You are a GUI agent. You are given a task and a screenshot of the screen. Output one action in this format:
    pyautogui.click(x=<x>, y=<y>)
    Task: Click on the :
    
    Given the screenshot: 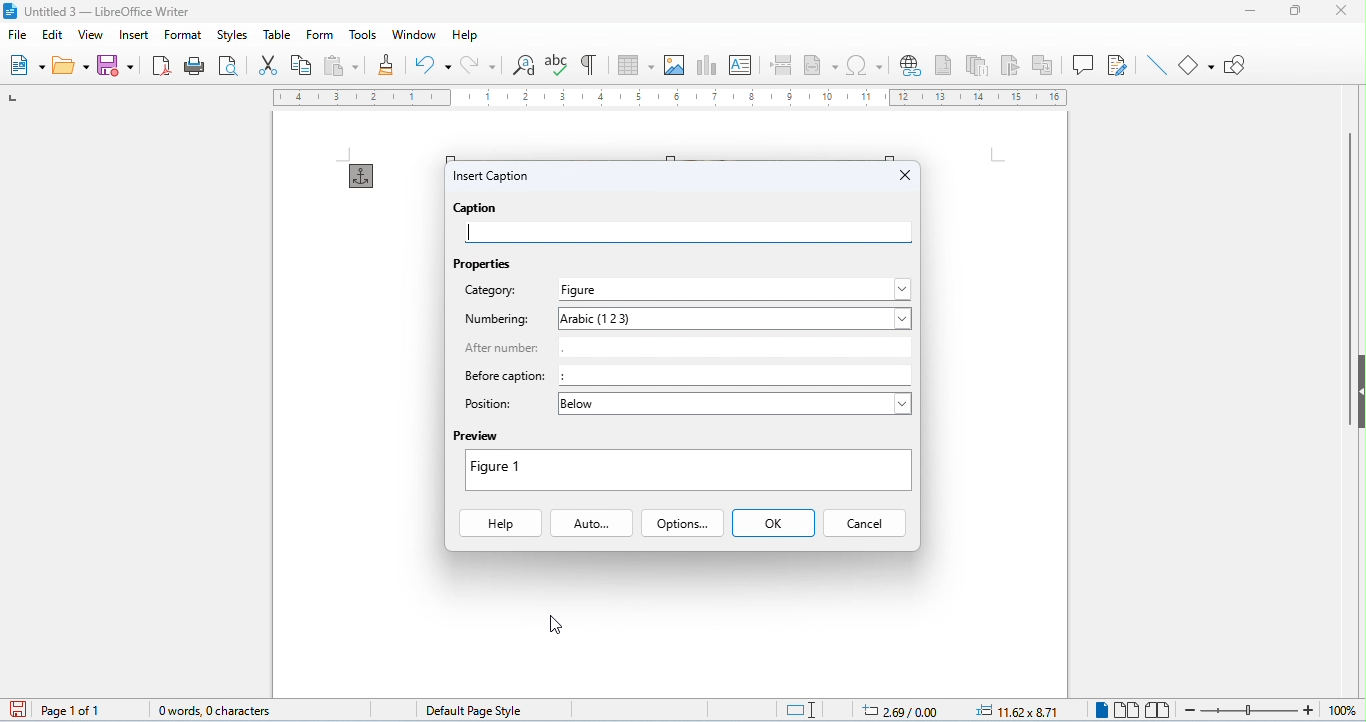 What is the action you would take?
    pyautogui.click(x=737, y=379)
    